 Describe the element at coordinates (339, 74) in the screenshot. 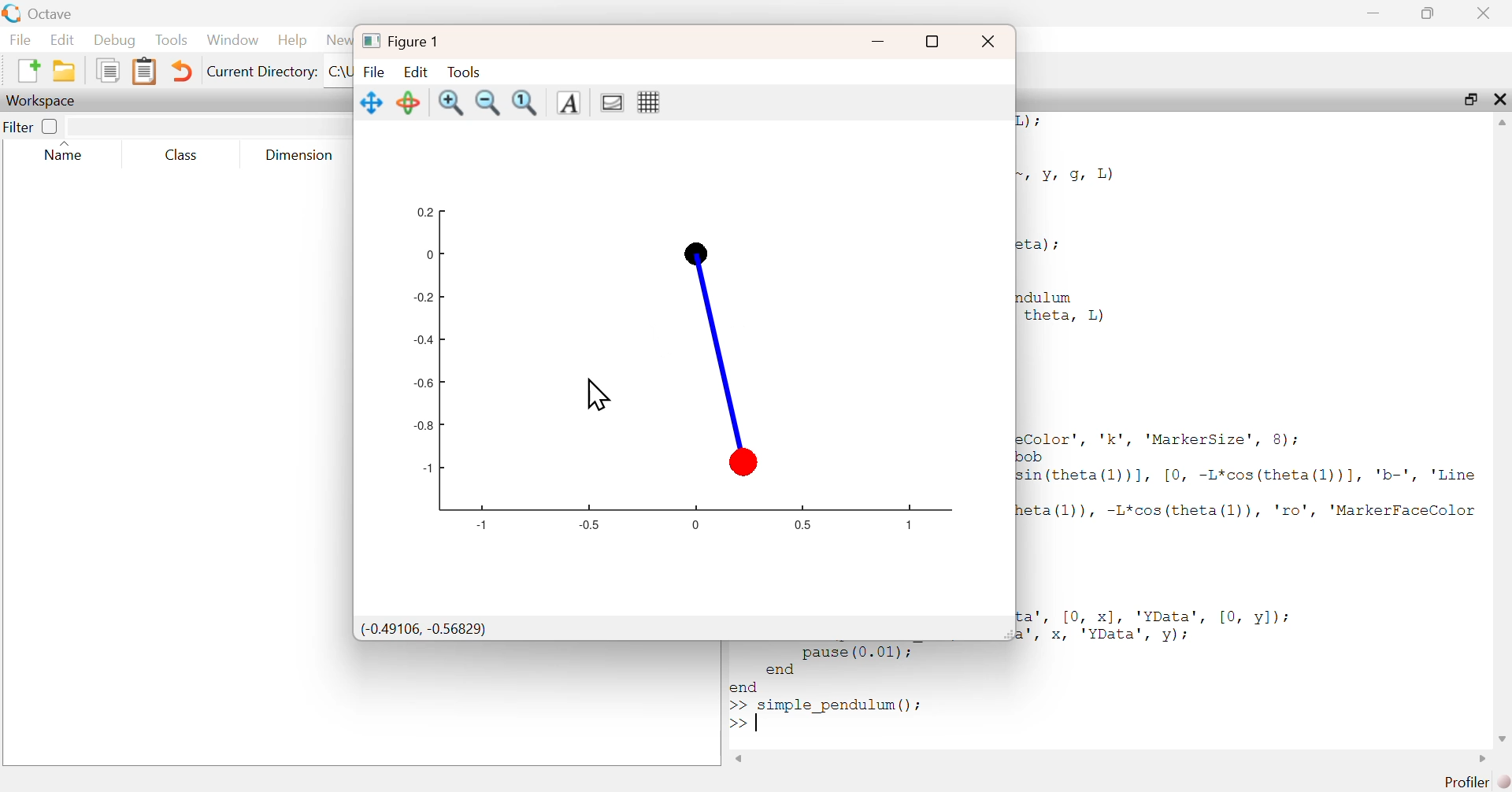

I see `C:\Users\shail ` at that location.